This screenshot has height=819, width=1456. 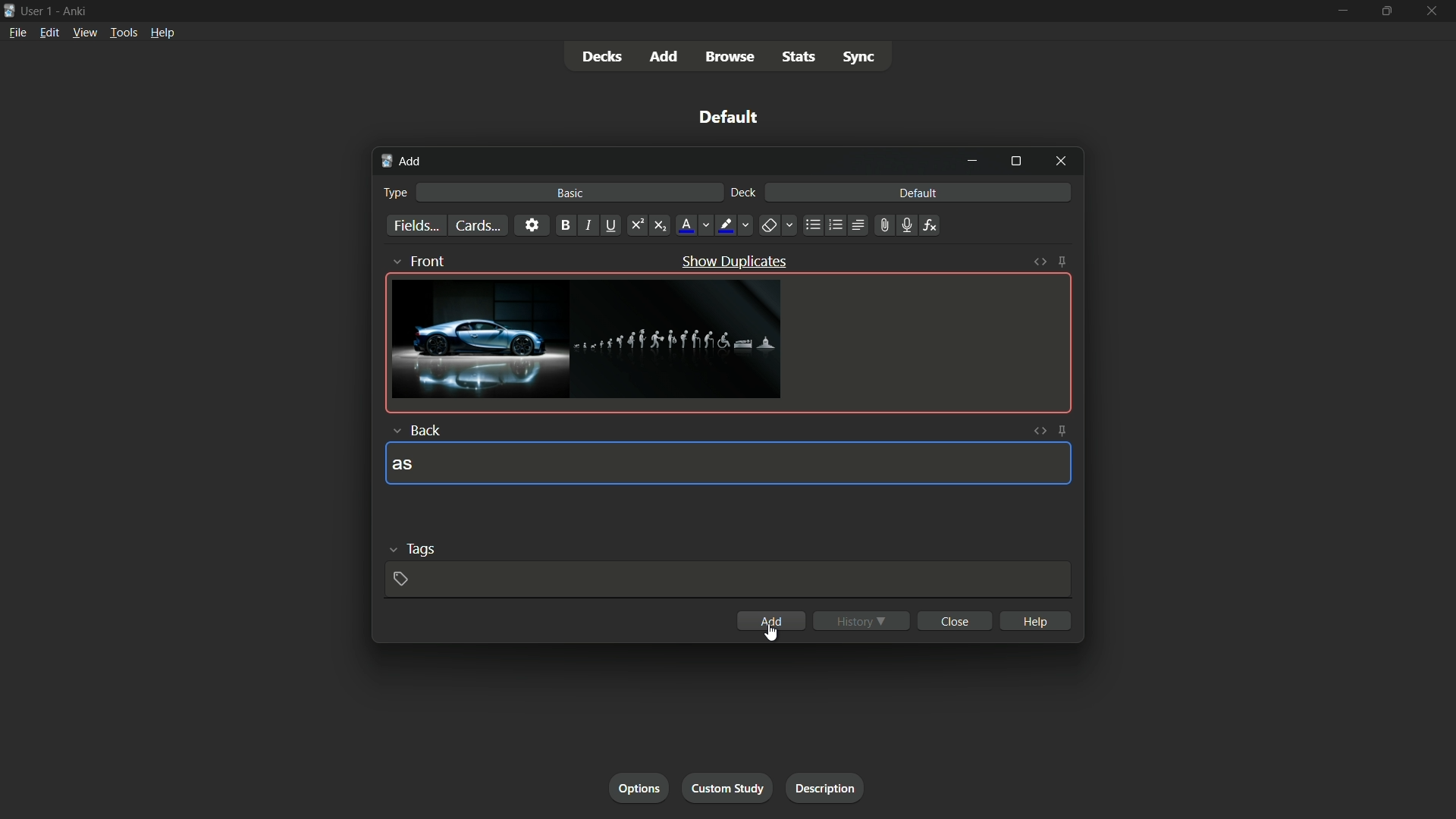 I want to click on toggle html editor, so click(x=1040, y=261).